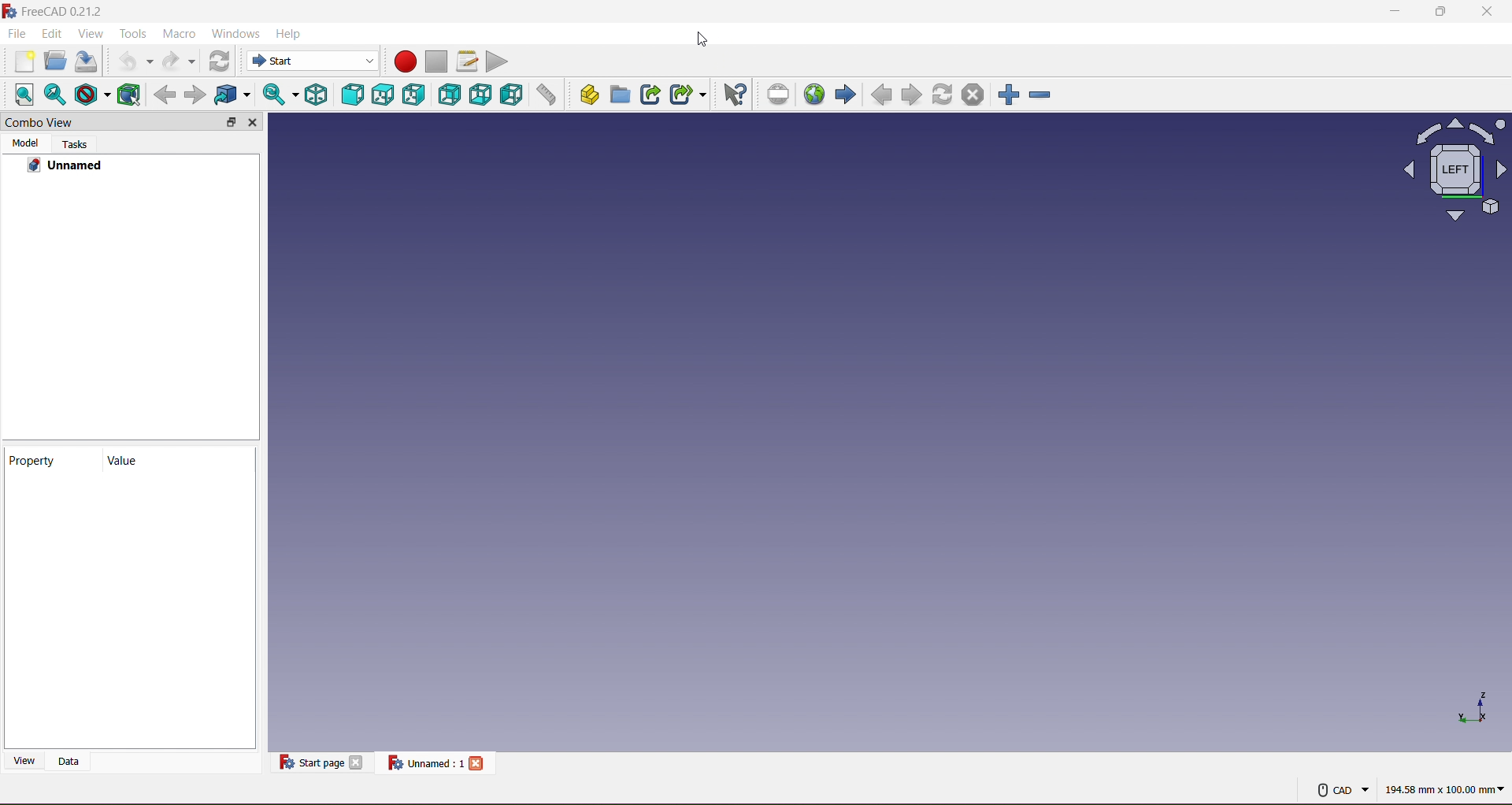 The height and width of the screenshot is (805, 1512). What do you see at coordinates (1456, 169) in the screenshot?
I see `Axis View` at bounding box center [1456, 169].